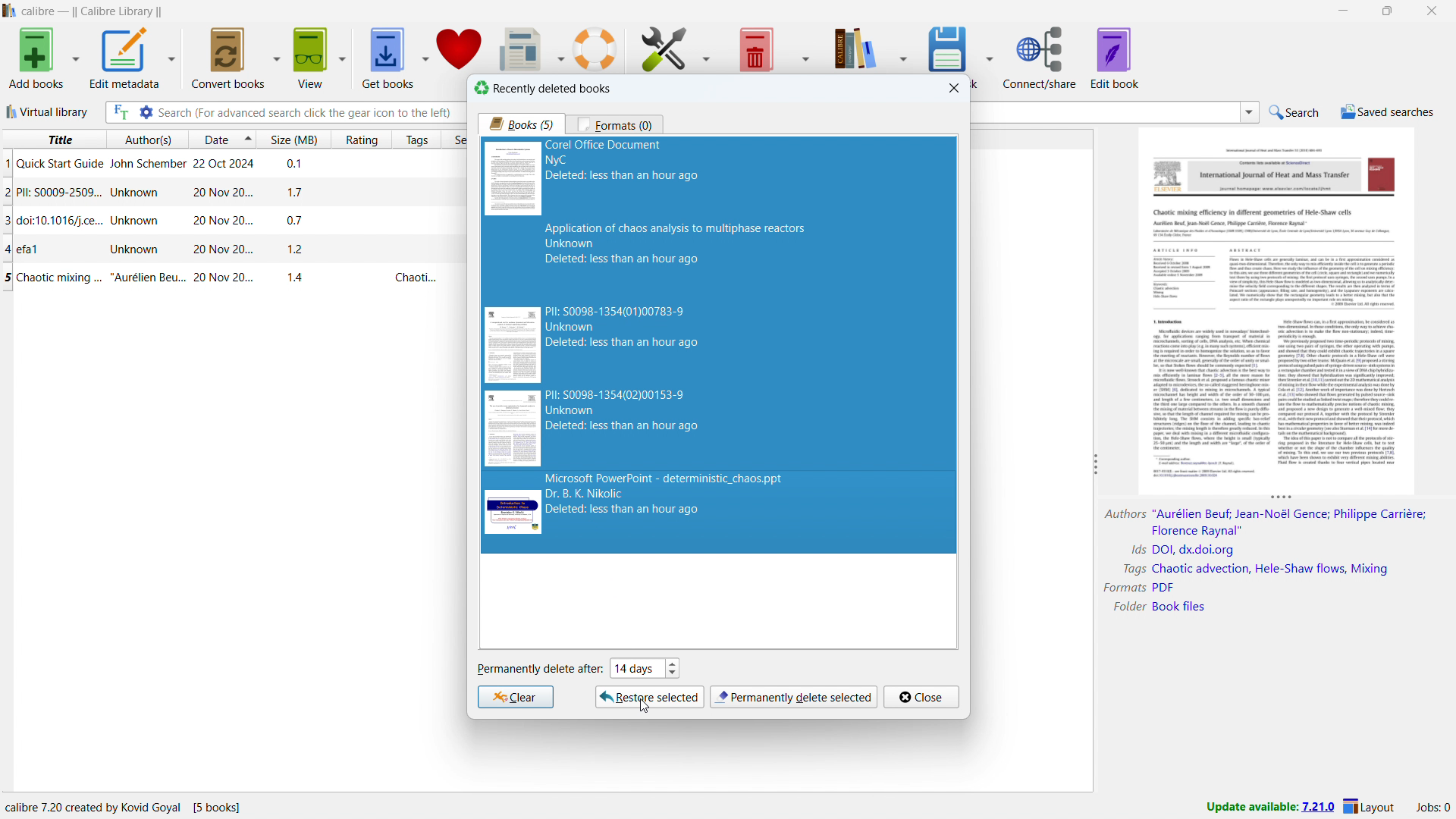 The width and height of the screenshot is (1456, 819). I want to click on enter search string, so click(309, 112).